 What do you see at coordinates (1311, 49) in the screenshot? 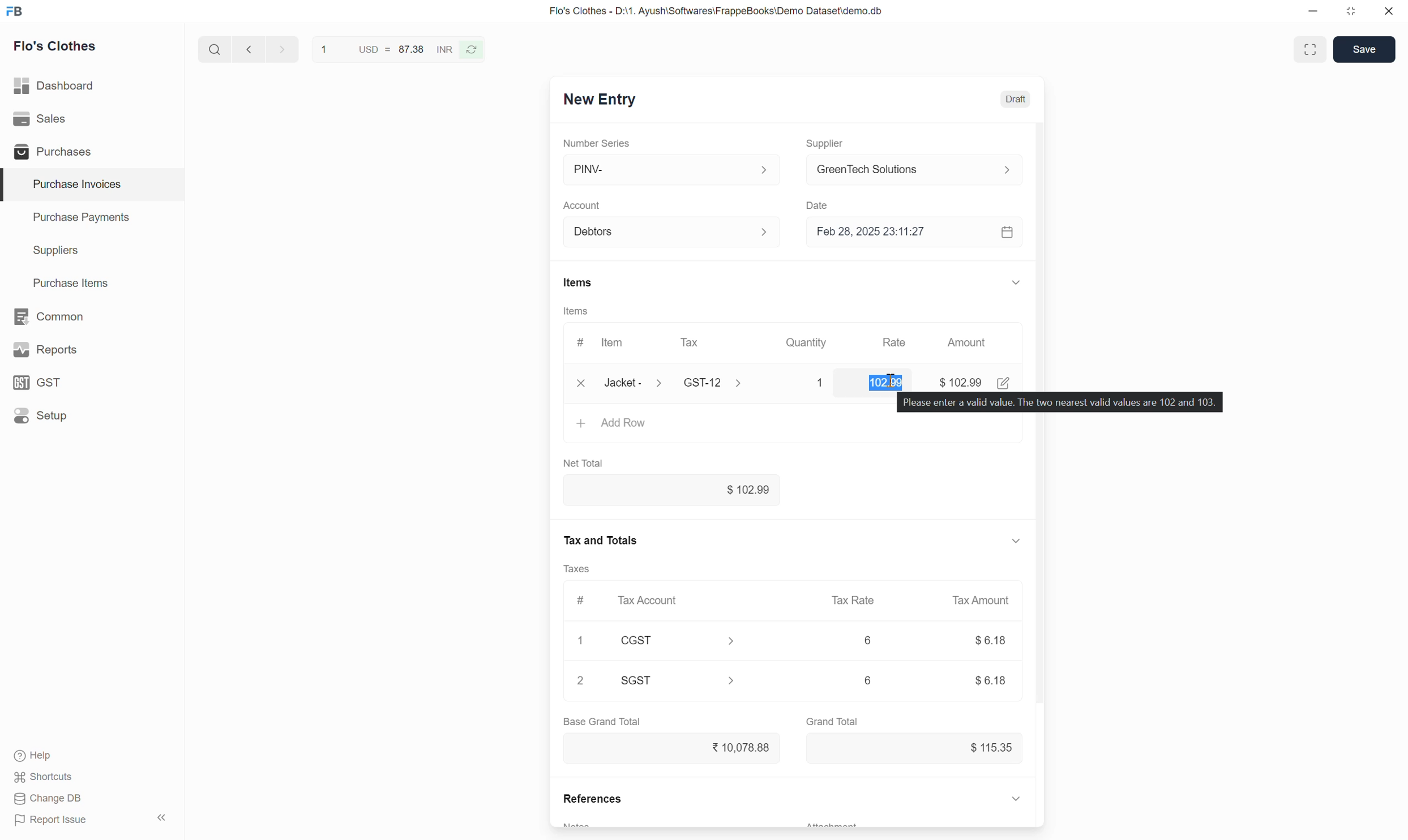
I see `Toggle between form and full width` at bounding box center [1311, 49].